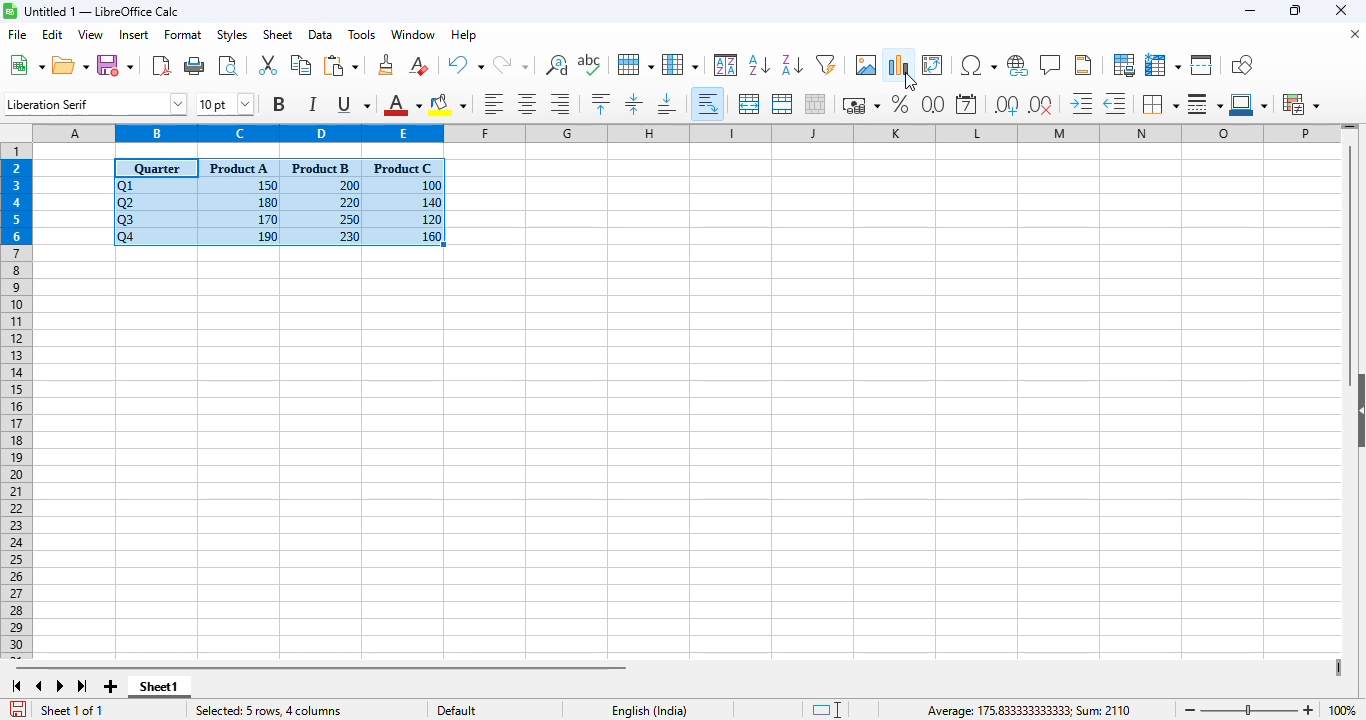 This screenshot has height=720, width=1366. Describe the element at coordinates (814, 103) in the screenshot. I see `unmerge cells` at that location.